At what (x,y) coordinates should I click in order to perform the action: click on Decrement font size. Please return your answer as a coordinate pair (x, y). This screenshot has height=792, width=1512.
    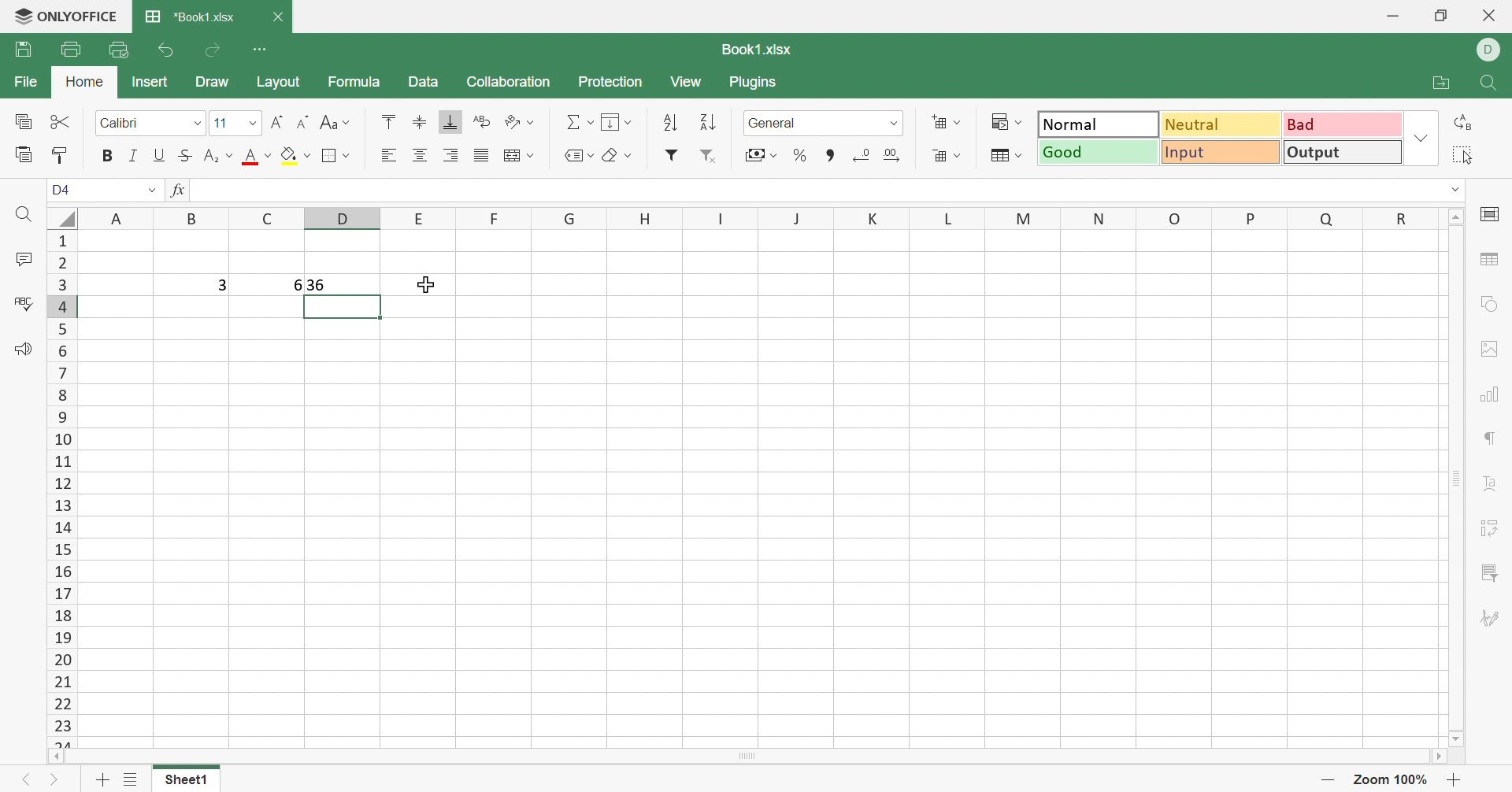
    Looking at the image, I should click on (306, 121).